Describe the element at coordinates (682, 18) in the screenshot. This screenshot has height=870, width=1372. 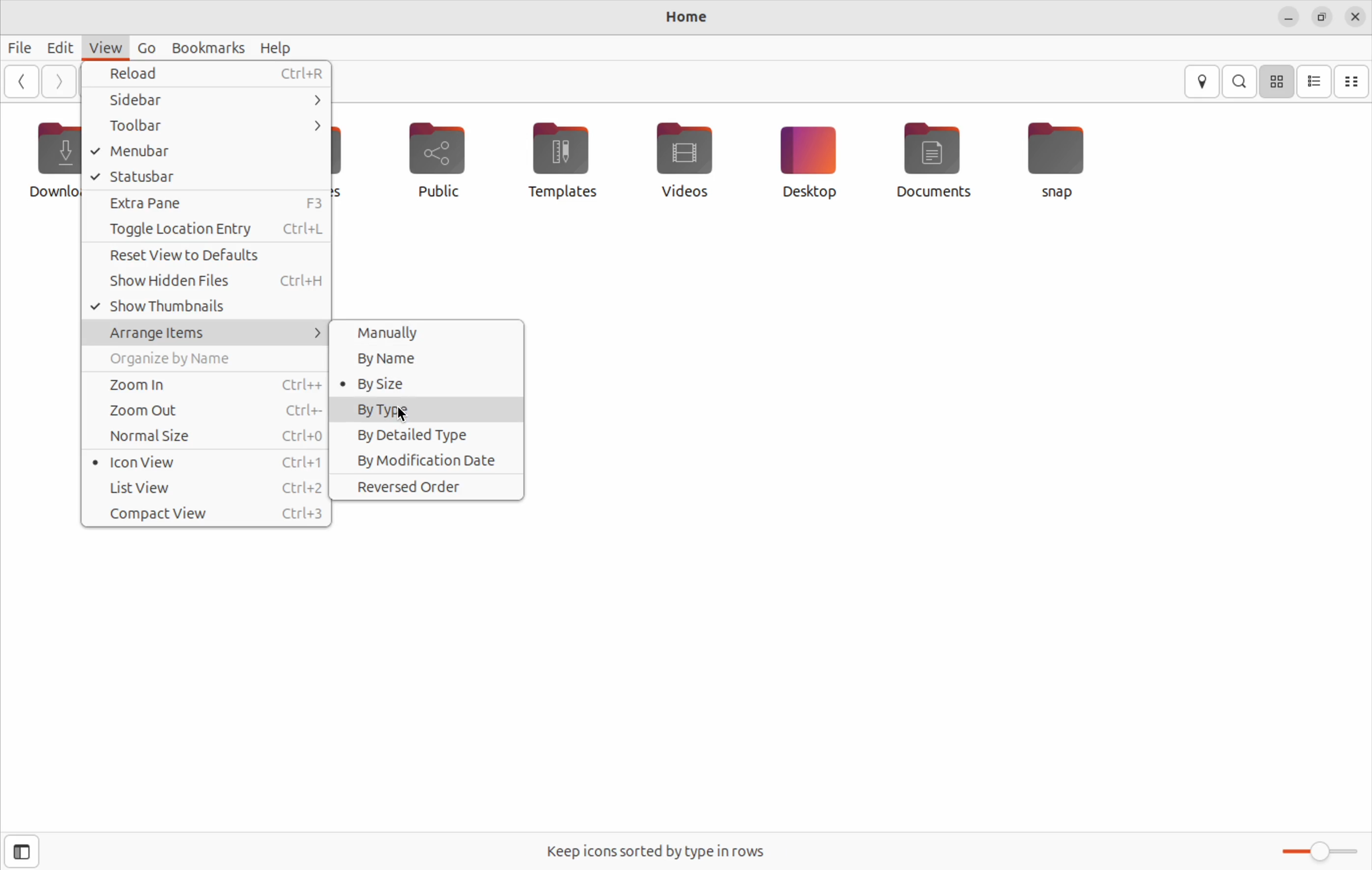
I see `home` at that location.